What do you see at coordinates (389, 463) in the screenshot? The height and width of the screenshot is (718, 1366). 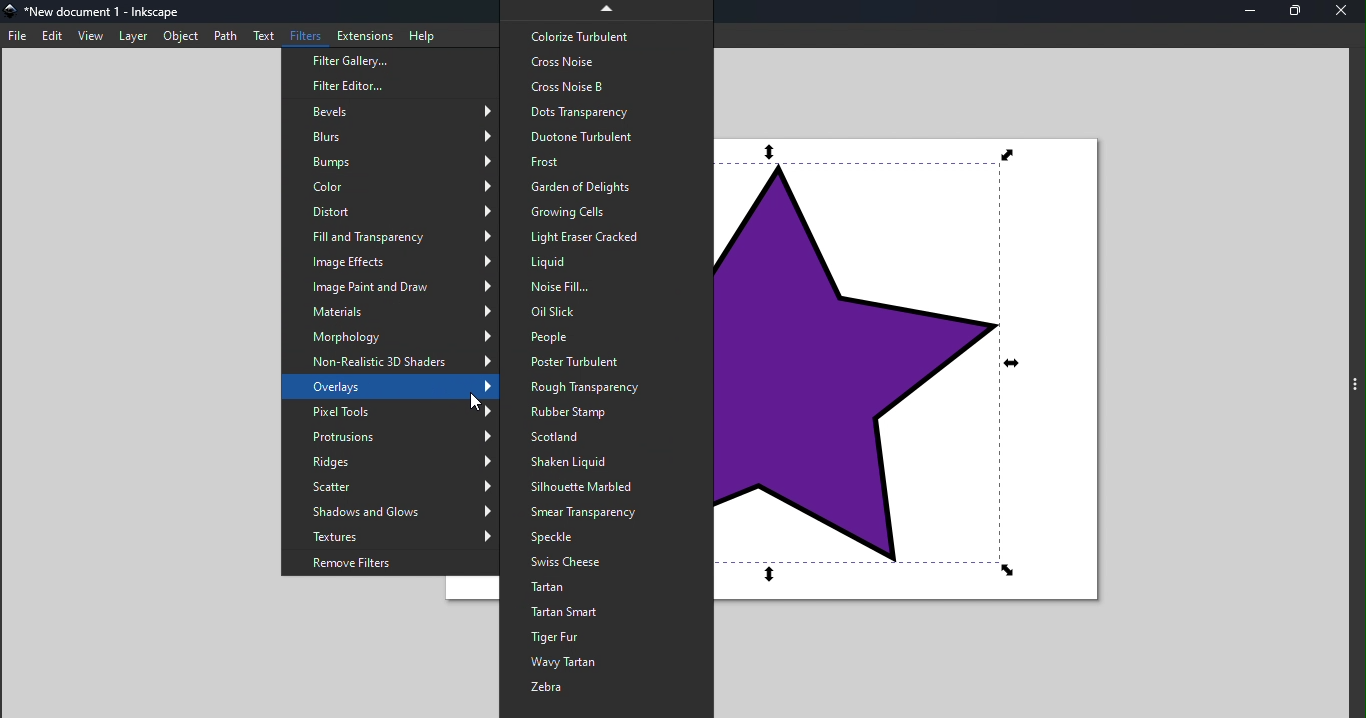 I see `Ridges` at bounding box center [389, 463].